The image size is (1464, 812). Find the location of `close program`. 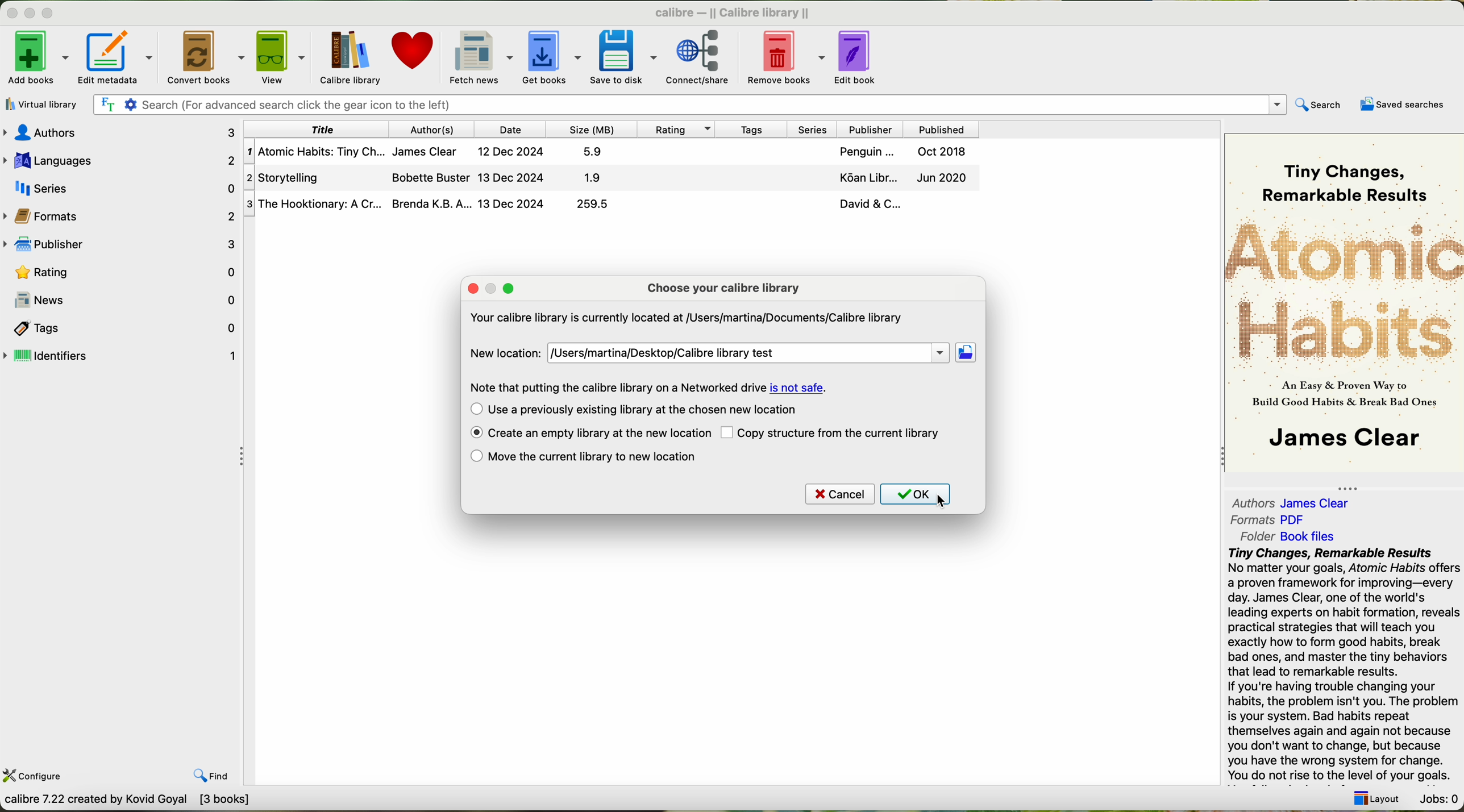

close program is located at coordinates (10, 13).